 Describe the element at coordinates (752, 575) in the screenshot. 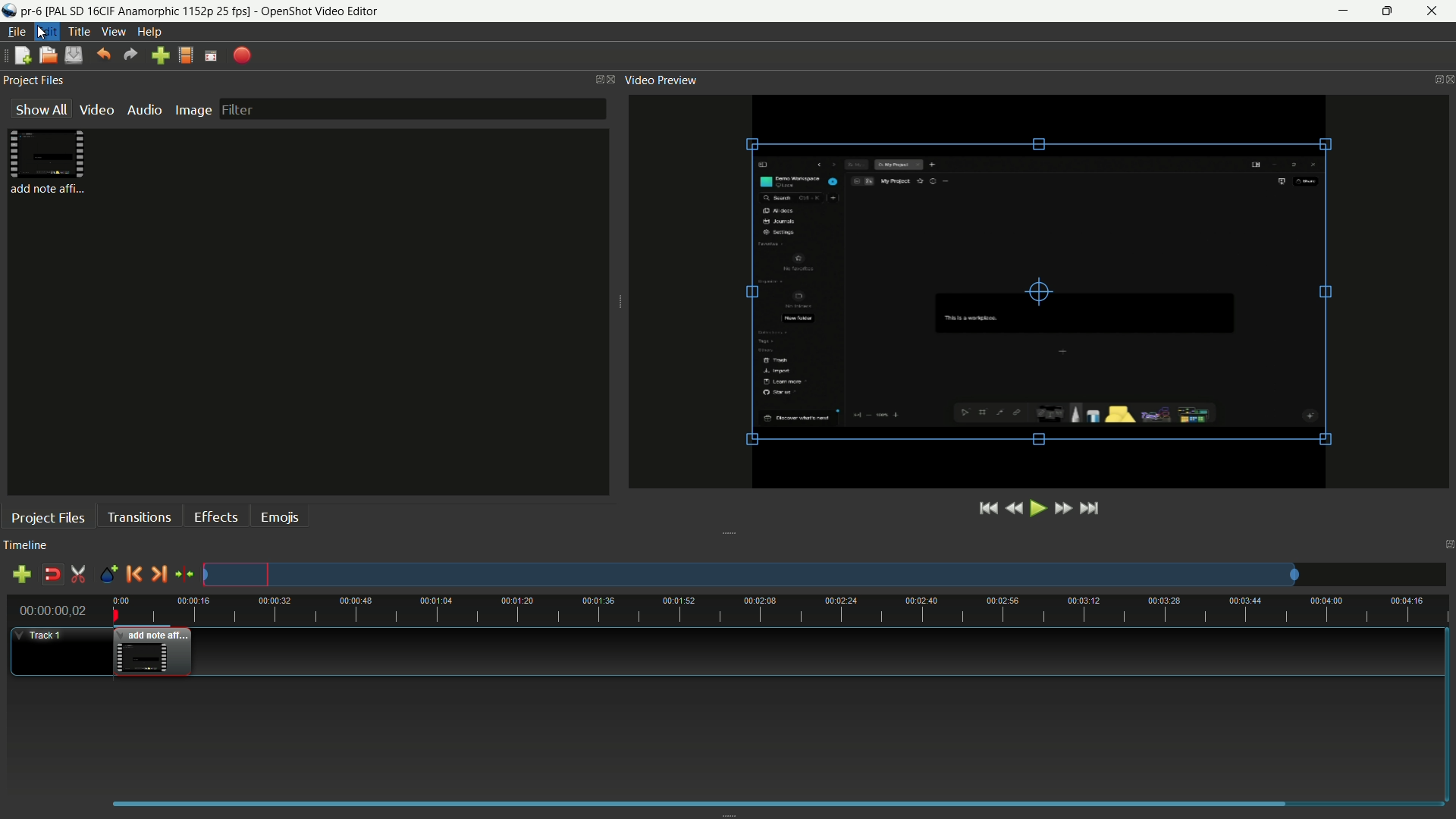

I see `track preview` at that location.